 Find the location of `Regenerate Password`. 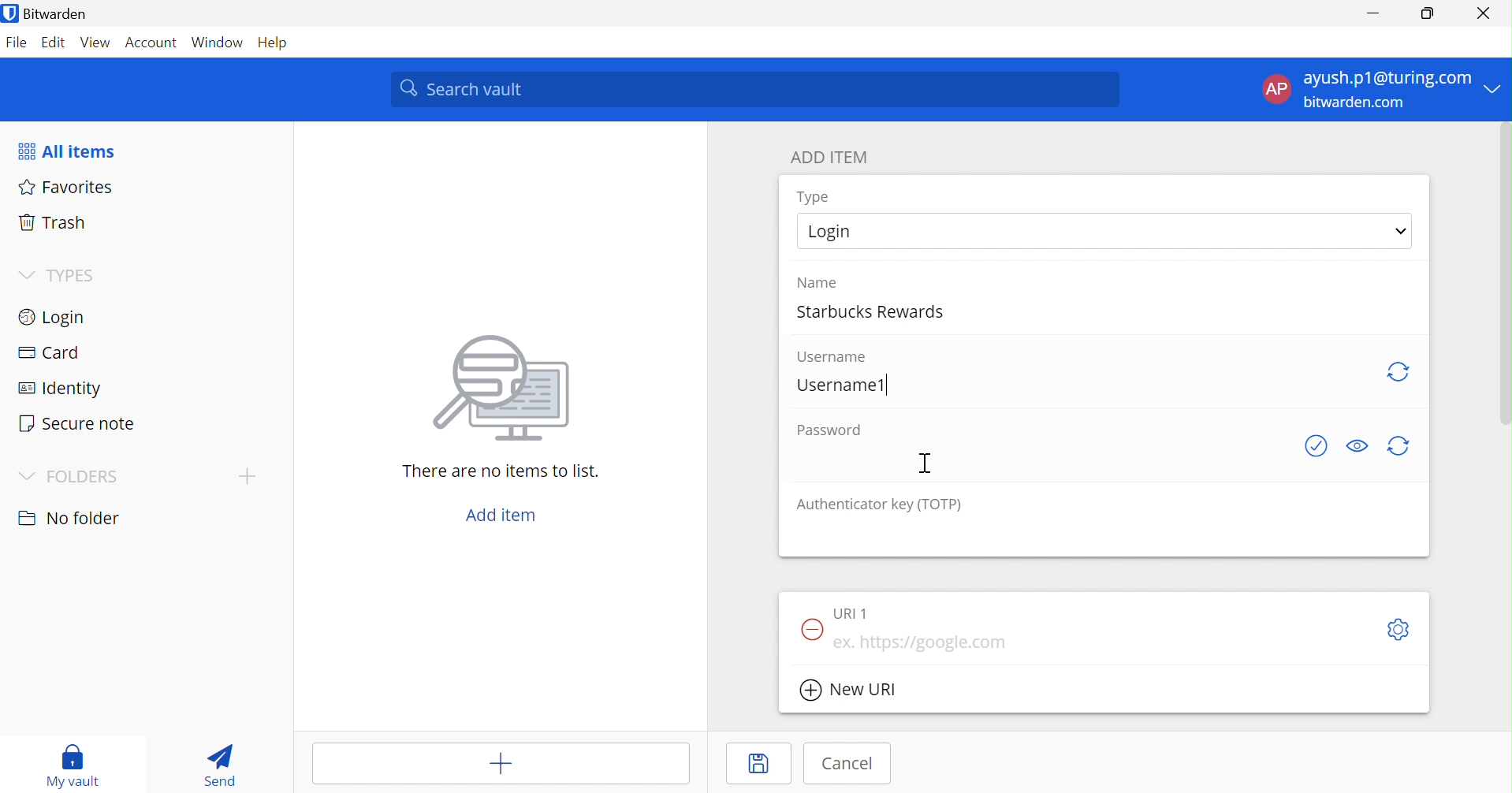

Regenerate Password is located at coordinates (1399, 446).